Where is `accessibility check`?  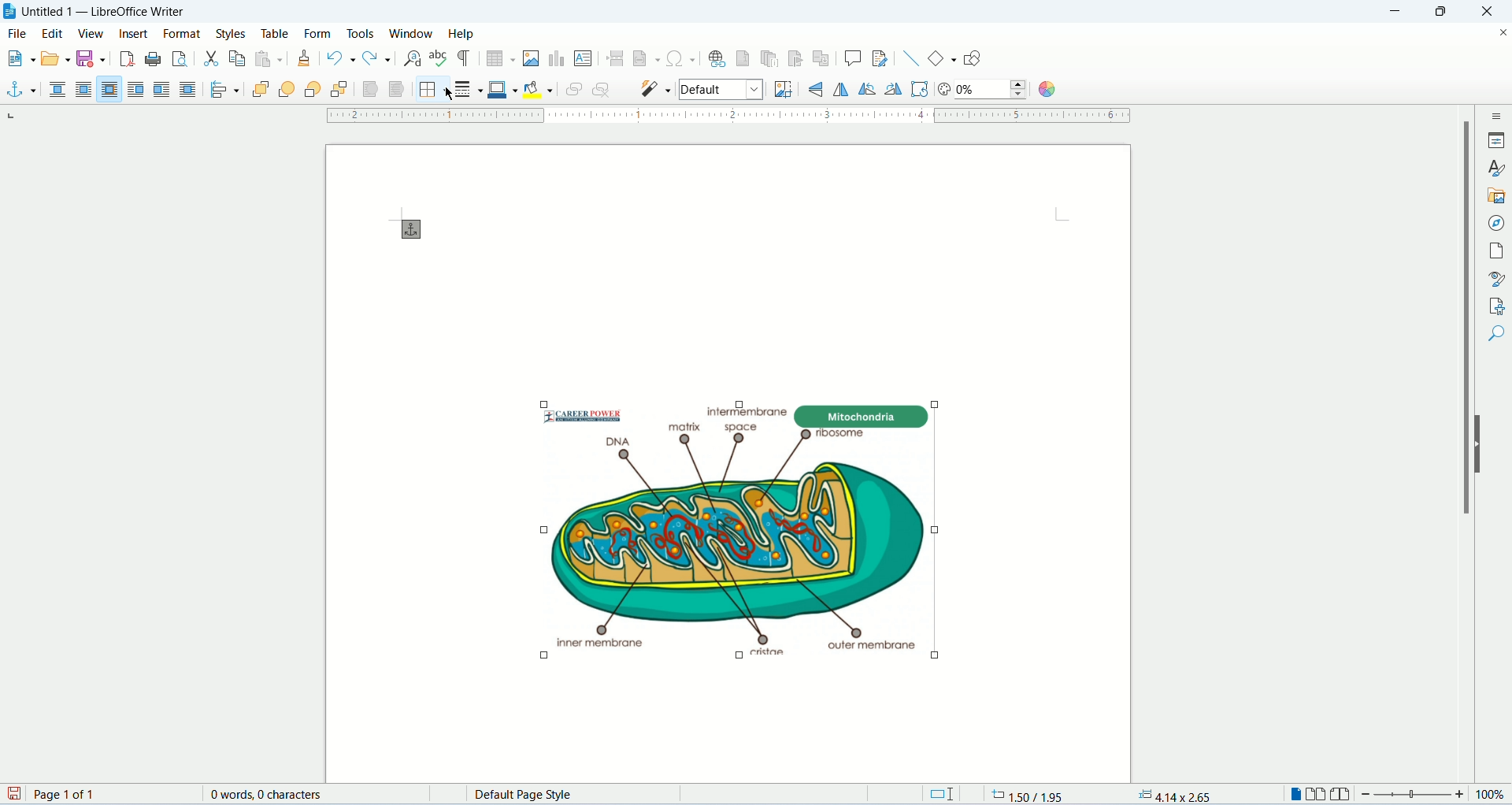
accessibility check is located at coordinates (1496, 333).